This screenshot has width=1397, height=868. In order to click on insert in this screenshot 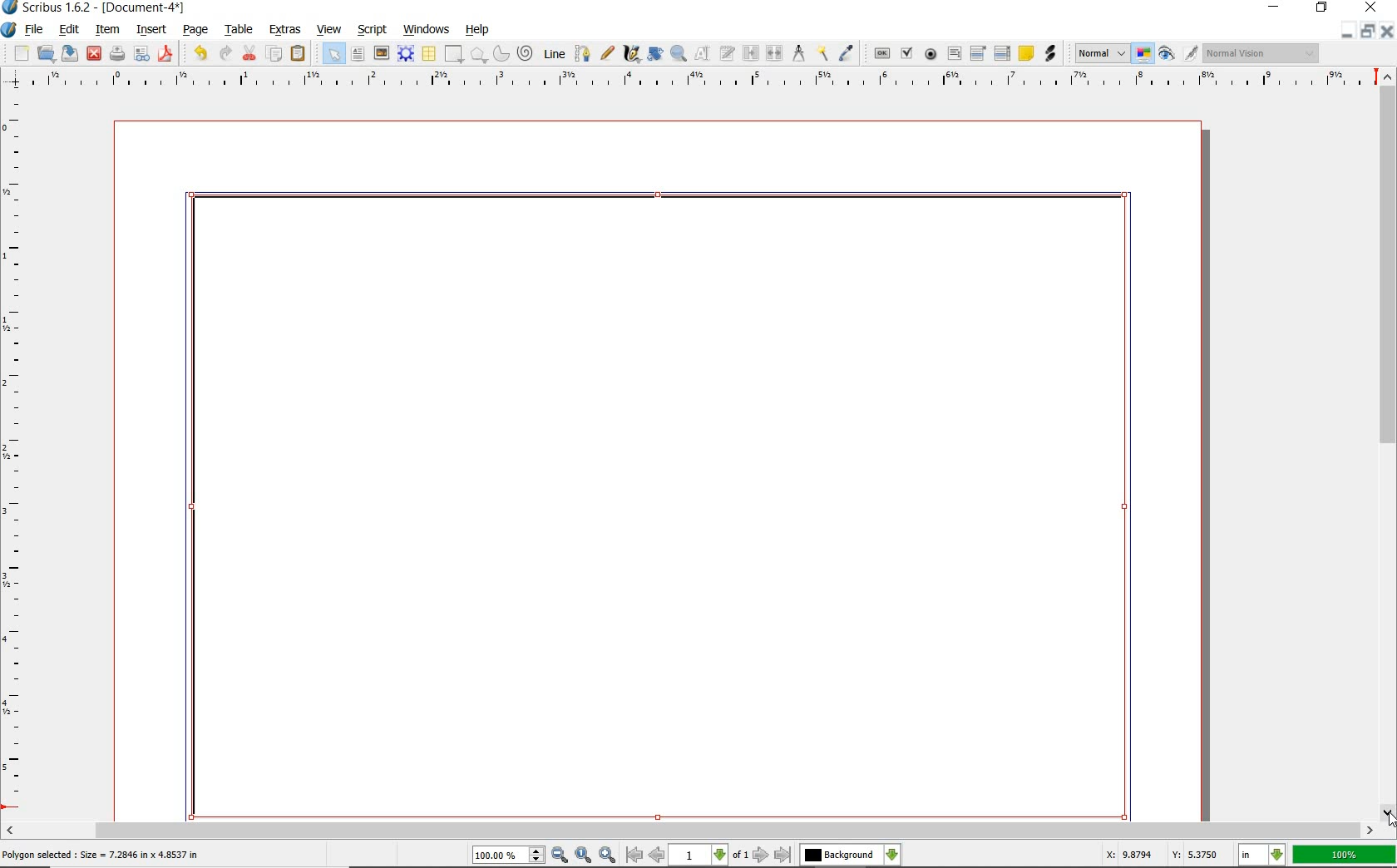, I will do `click(151, 29)`.